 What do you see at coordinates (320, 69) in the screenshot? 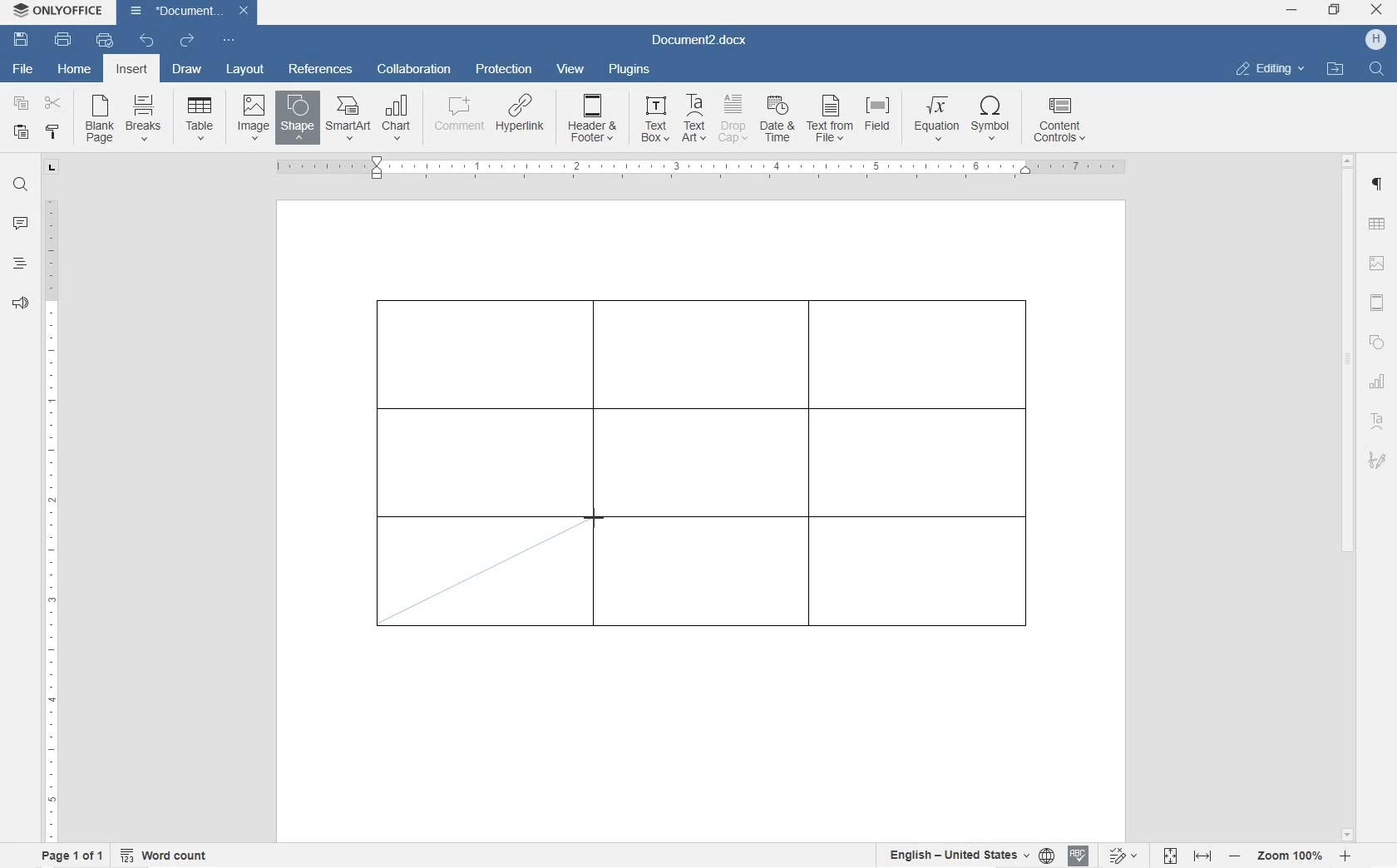
I see `references` at bounding box center [320, 69].